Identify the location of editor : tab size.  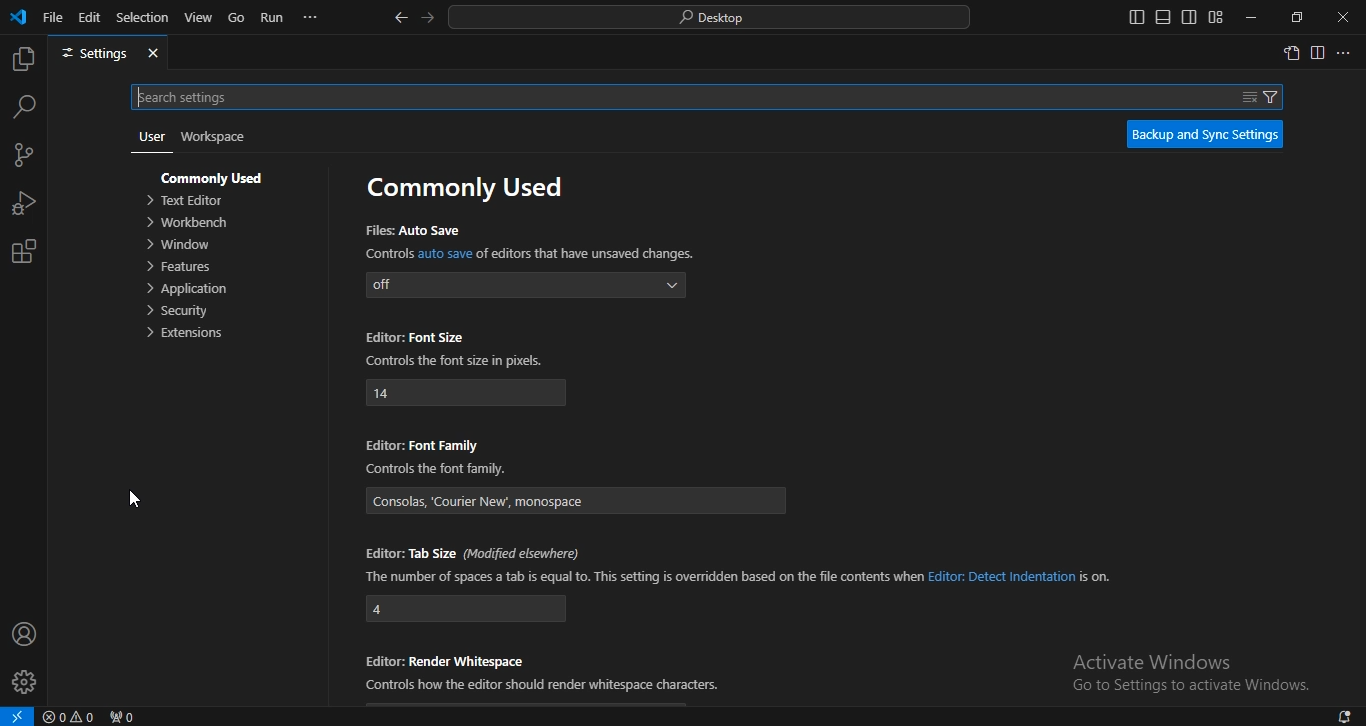
(740, 577).